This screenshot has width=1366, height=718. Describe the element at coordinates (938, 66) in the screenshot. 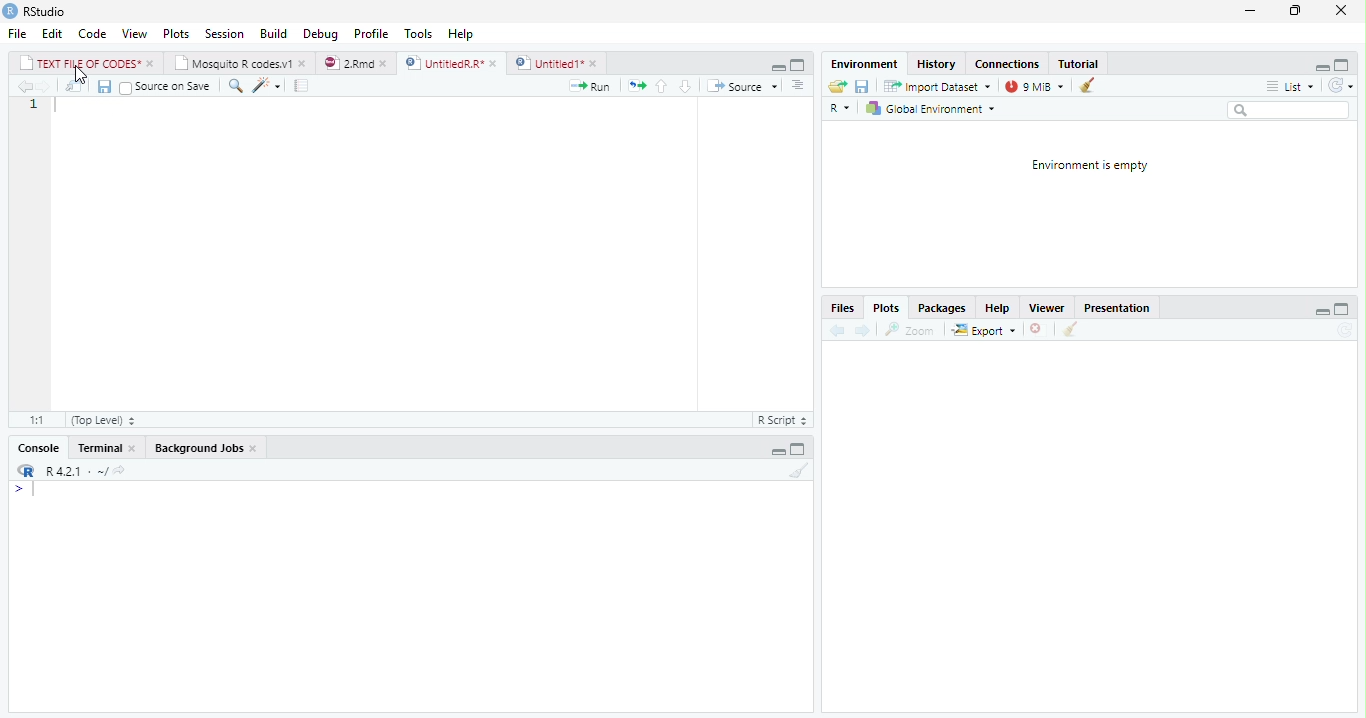

I see ` History` at that location.